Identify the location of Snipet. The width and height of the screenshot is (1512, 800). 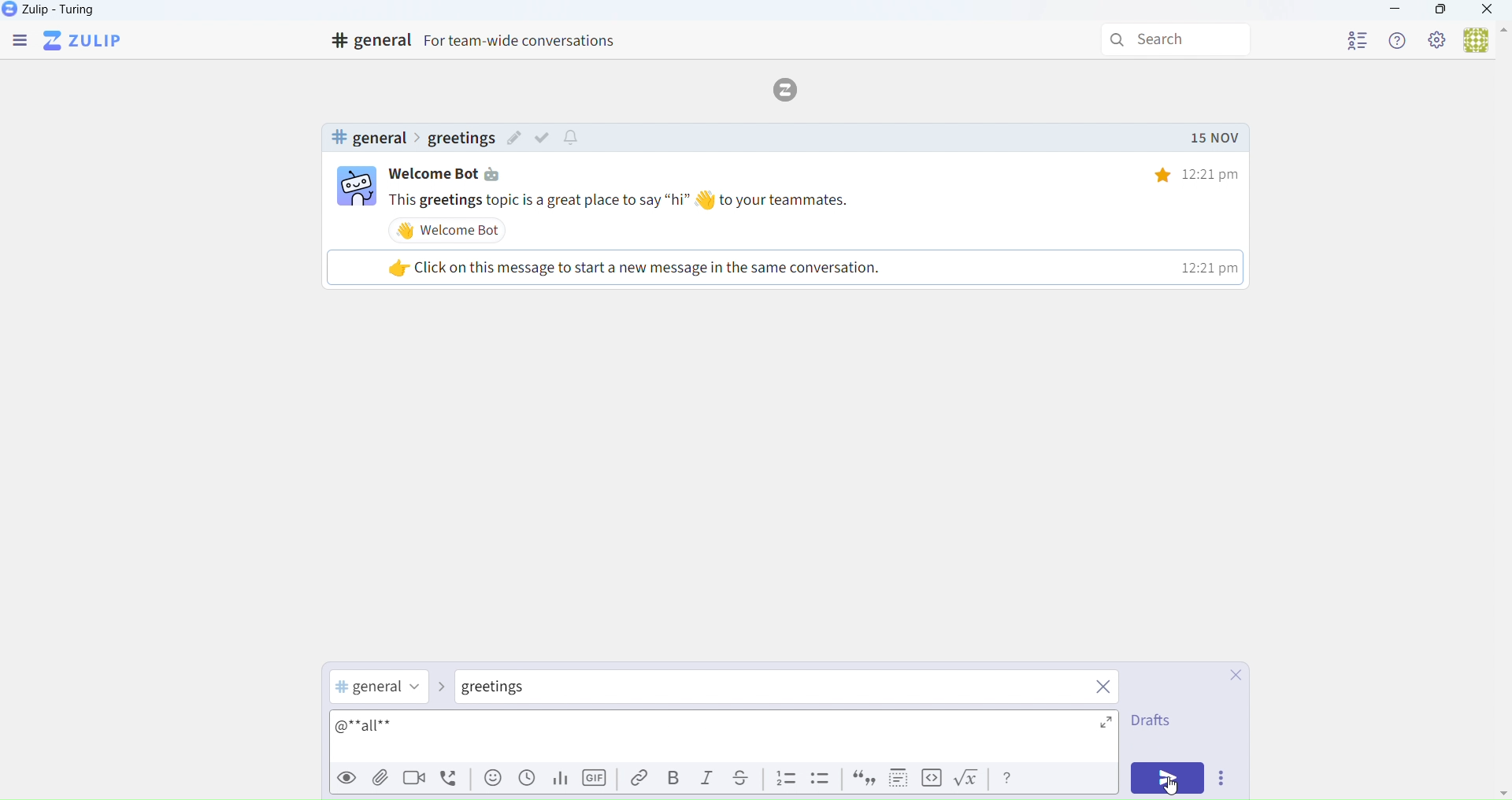
(822, 781).